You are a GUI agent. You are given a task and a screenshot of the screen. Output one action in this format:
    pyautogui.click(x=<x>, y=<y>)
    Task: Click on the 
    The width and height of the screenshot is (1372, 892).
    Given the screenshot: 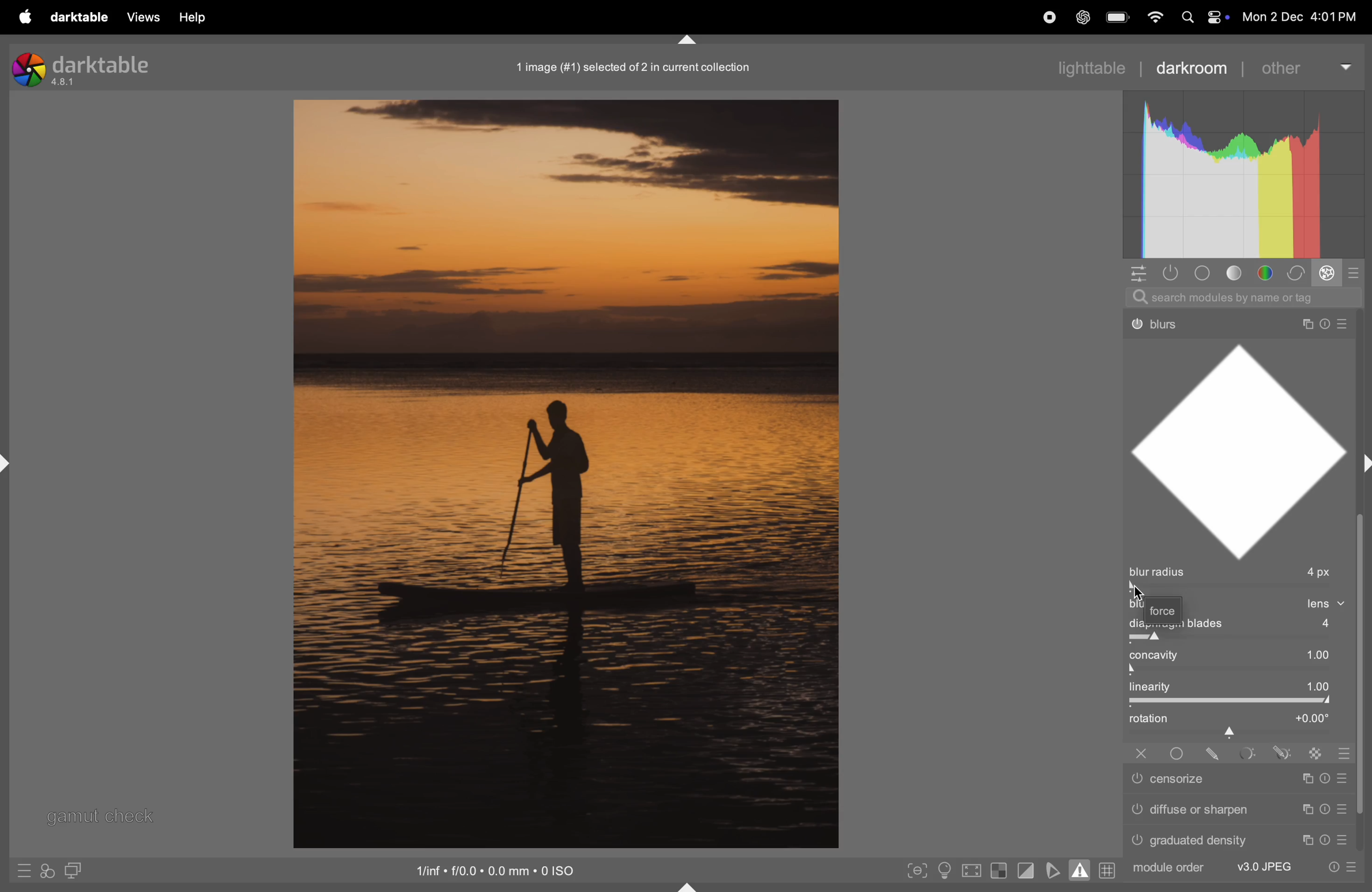 What is the action you would take?
    pyautogui.click(x=1247, y=754)
    